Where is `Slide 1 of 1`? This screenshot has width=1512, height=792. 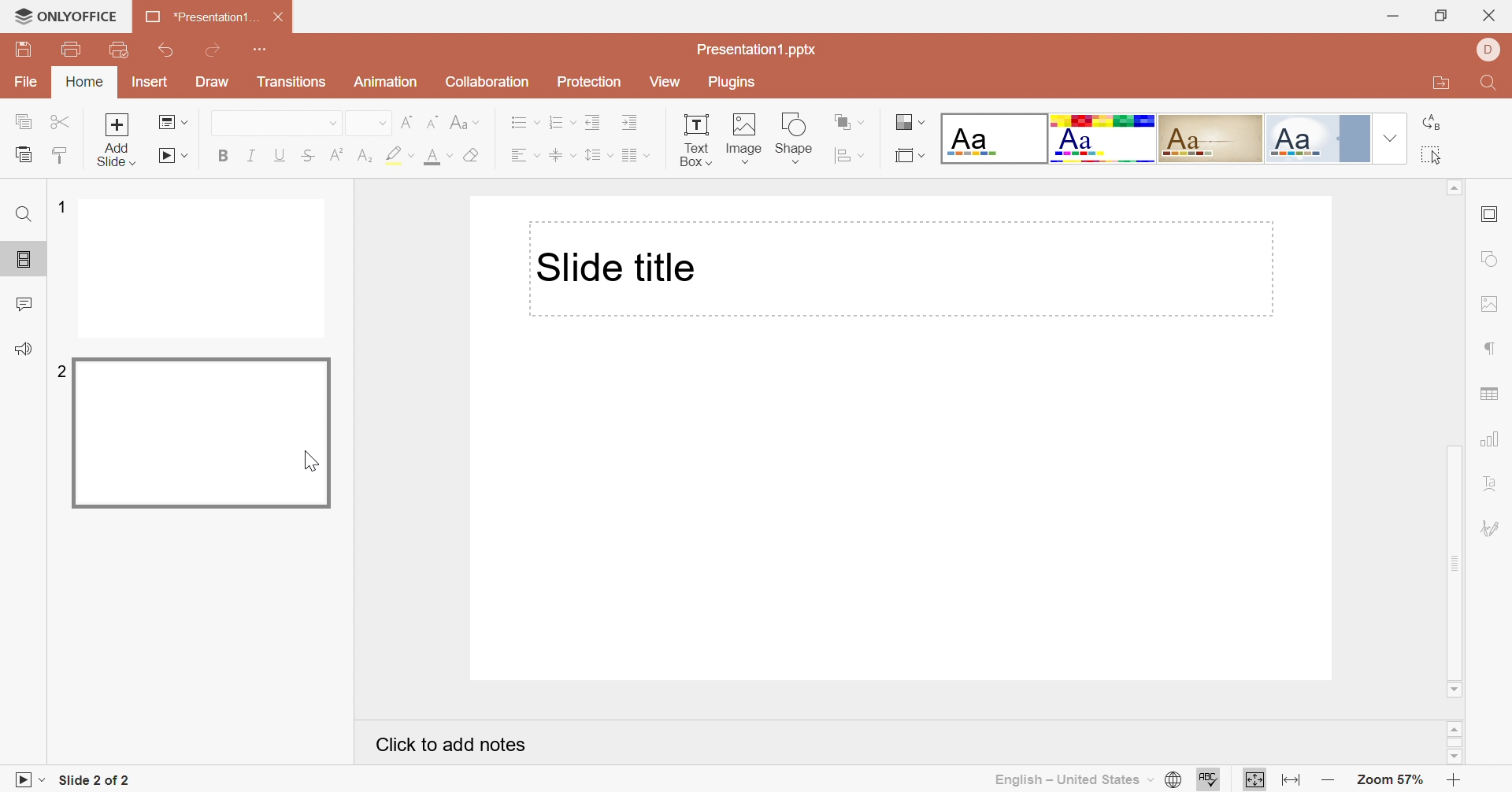 Slide 1 of 1 is located at coordinates (95, 780).